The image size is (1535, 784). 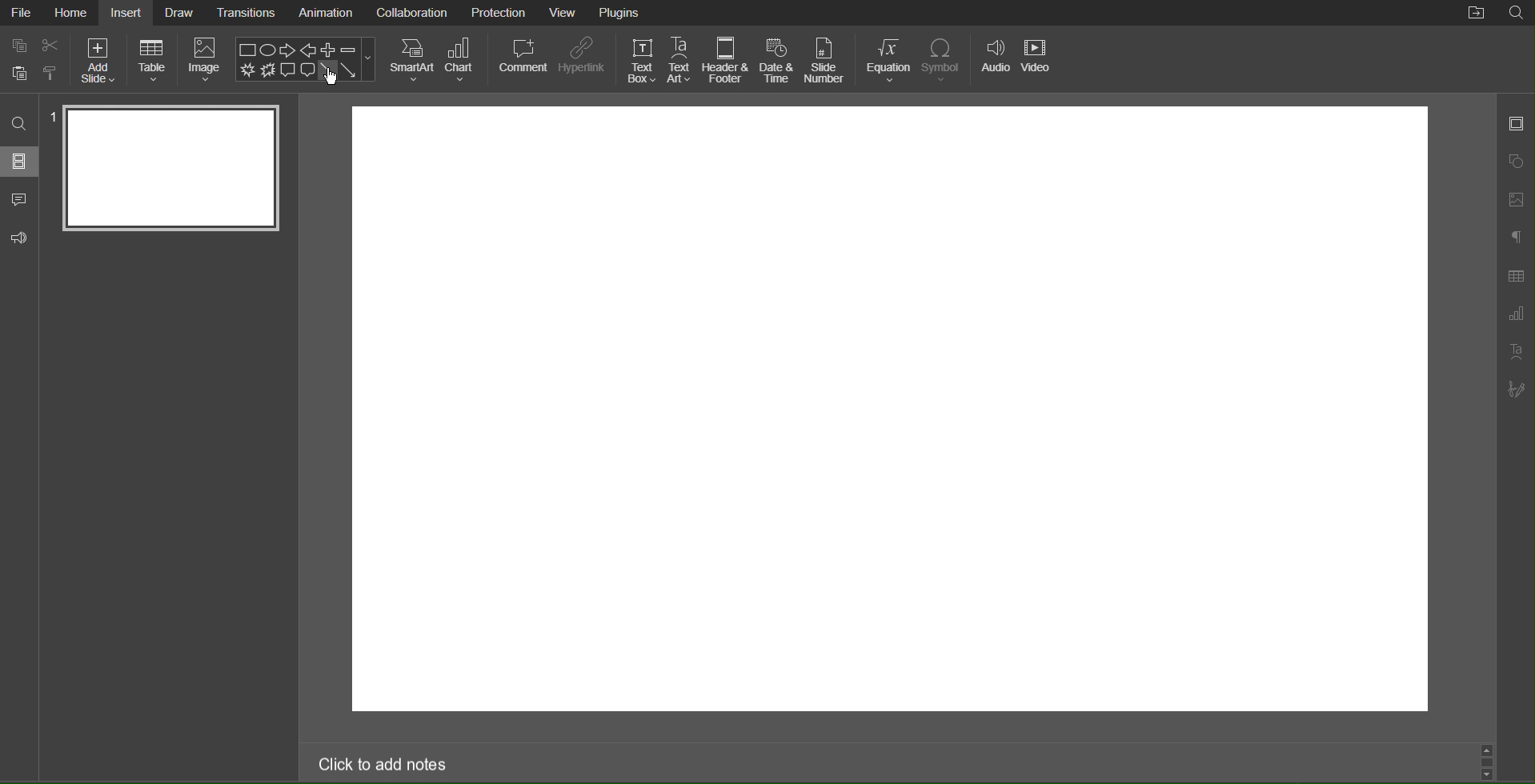 I want to click on Open File Location, so click(x=1477, y=14).